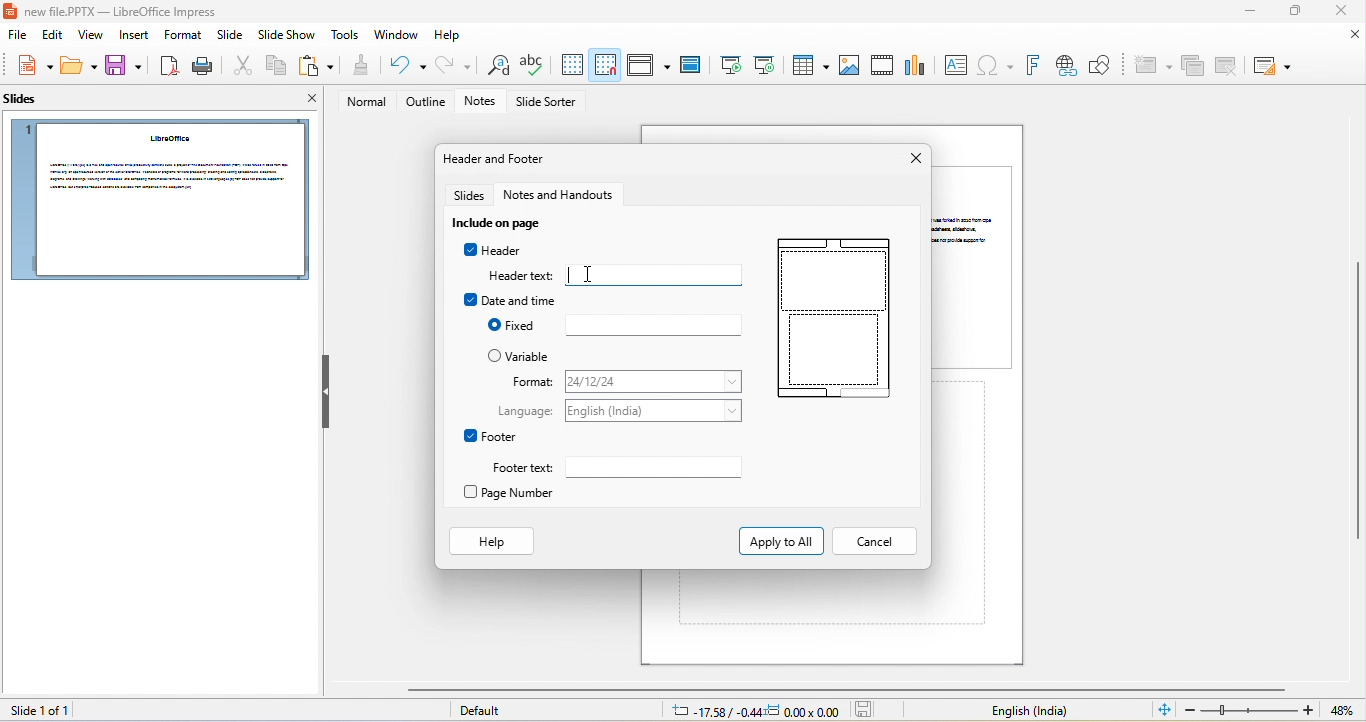 The image size is (1366, 722). Describe the element at coordinates (549, 103) in the screenshot. I see `slide sorter` at that location.